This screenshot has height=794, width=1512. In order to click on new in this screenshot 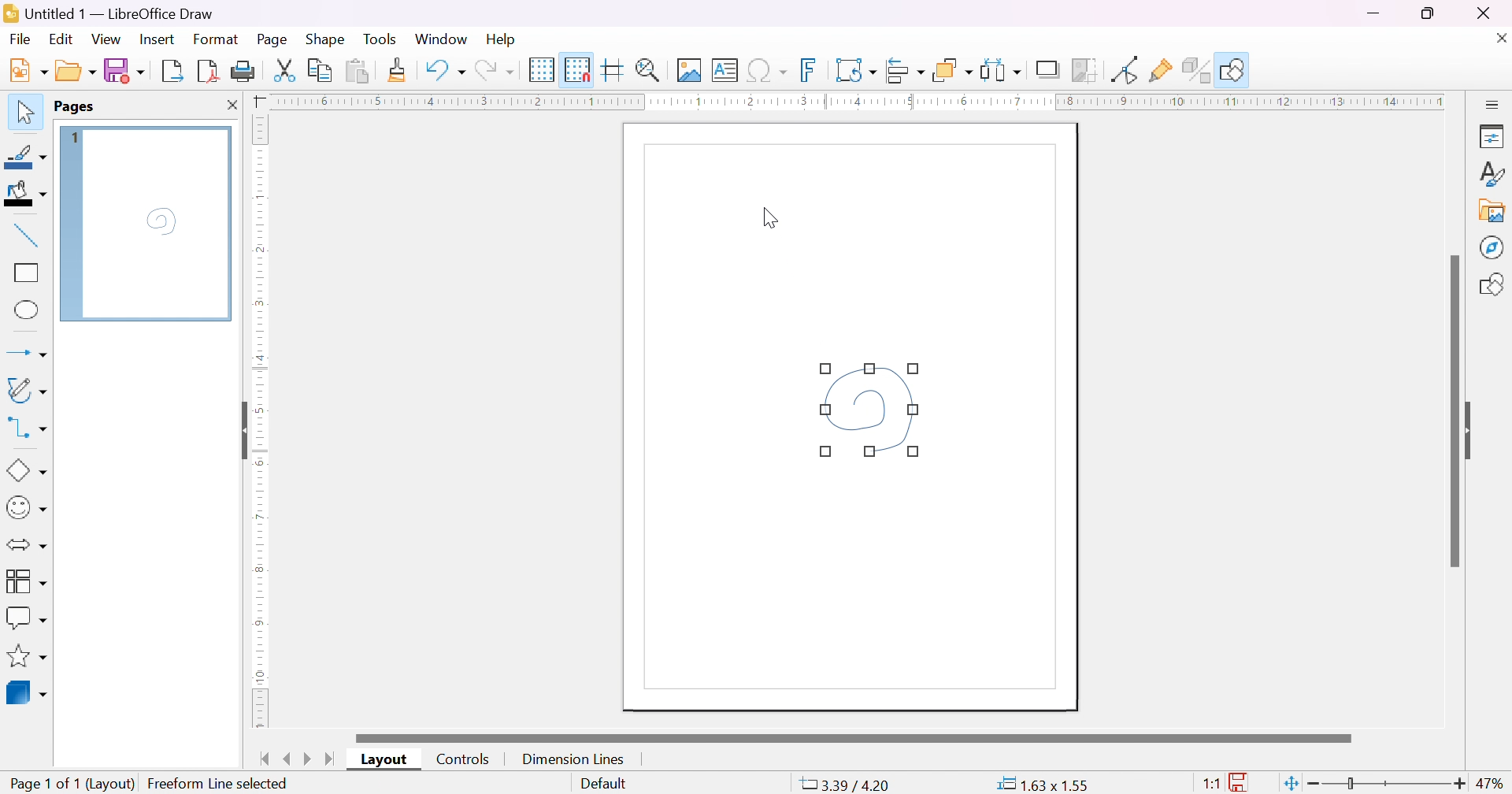, I will do `click(28, 70)`.